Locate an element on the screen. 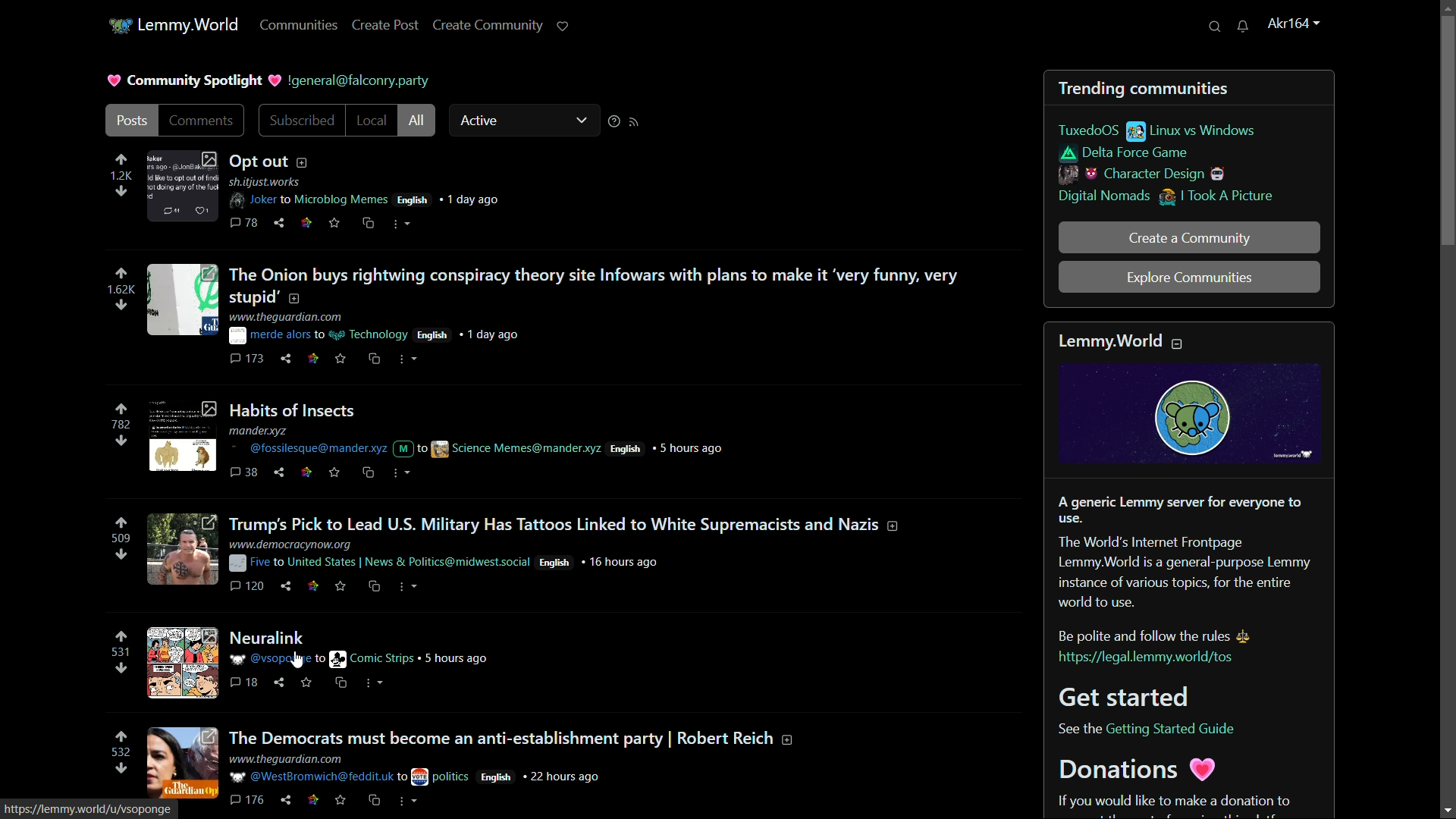  post-3 is located at coordinates (477, 429).